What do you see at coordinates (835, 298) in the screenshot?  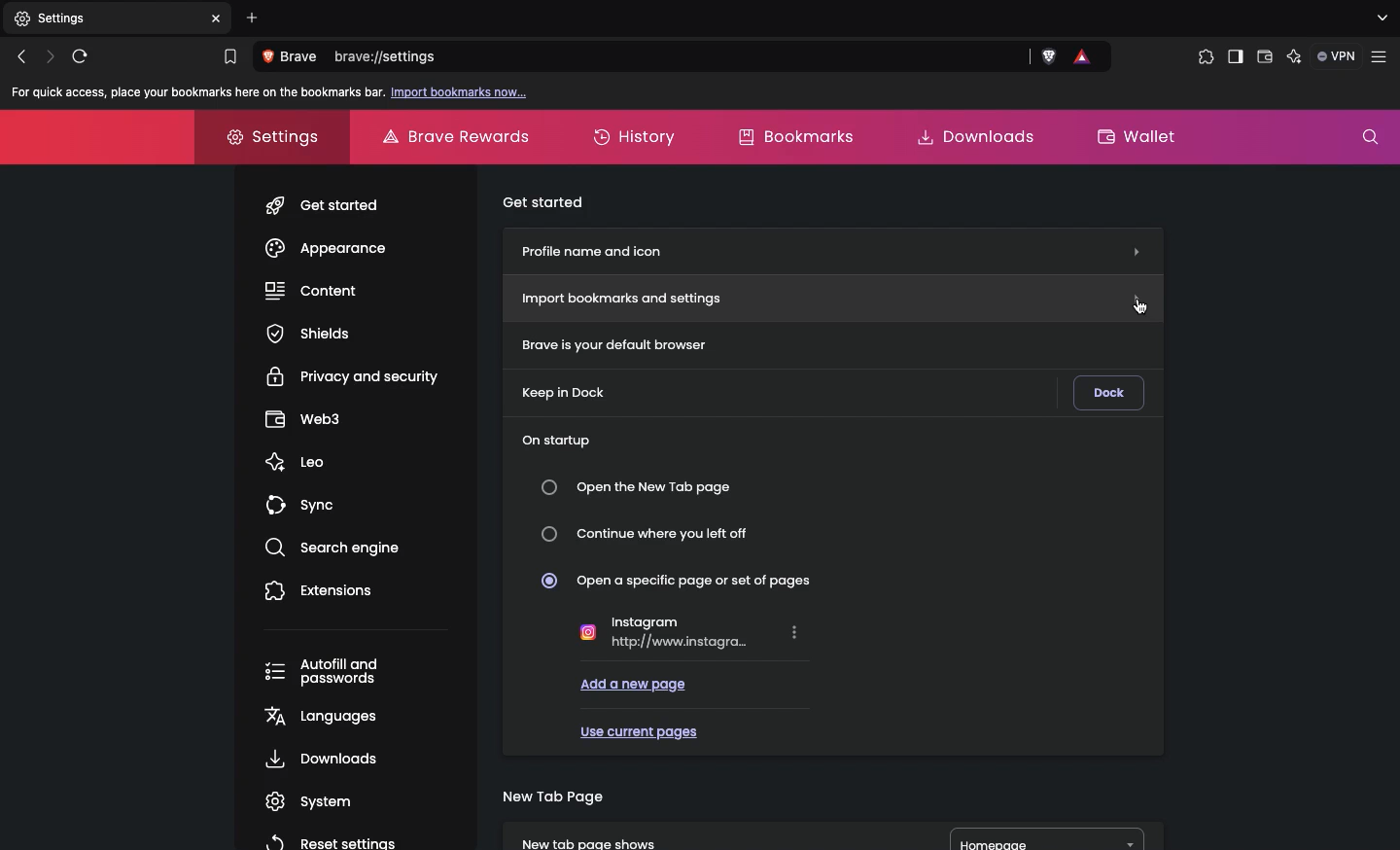 I see `Import bookmarks and settings` at bounding box center [835, 298].